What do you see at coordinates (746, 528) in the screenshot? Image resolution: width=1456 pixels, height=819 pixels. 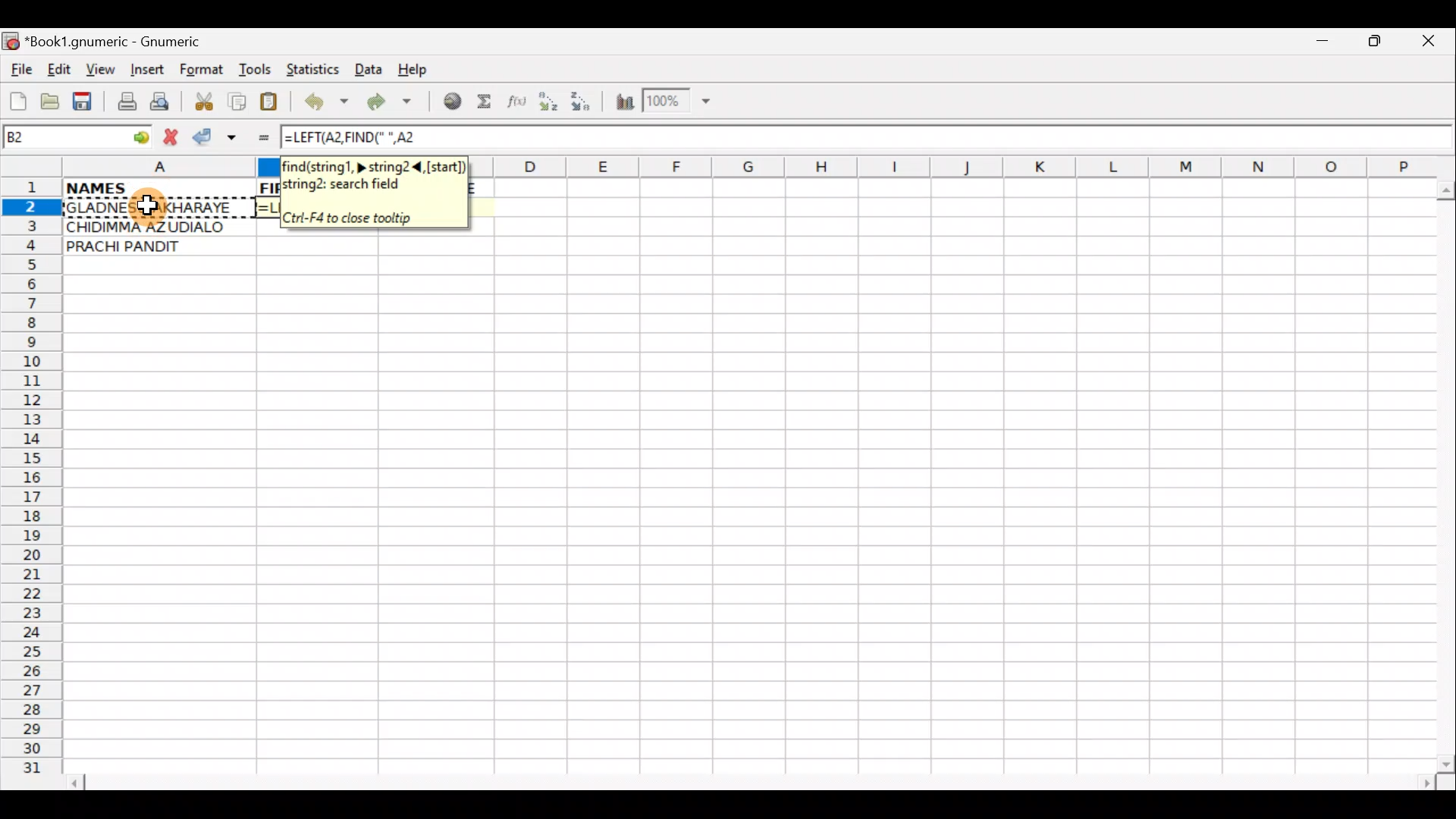 I see `Cells` at bounding box center [746, 528].